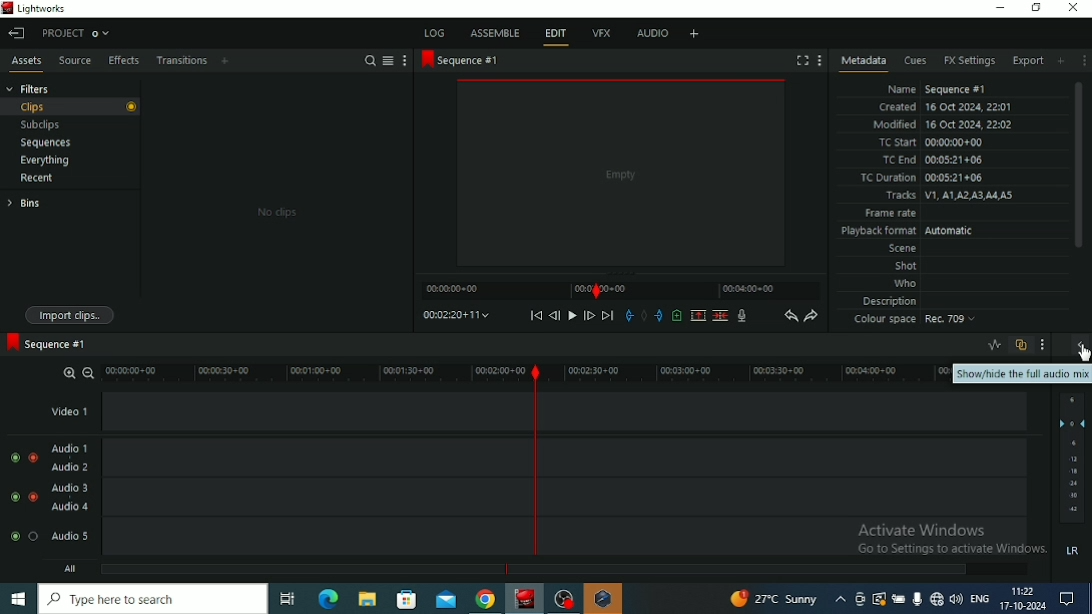  Describe the element at coordinates (407, 599) in the screenshot. I see `Microsoft store` at that location.